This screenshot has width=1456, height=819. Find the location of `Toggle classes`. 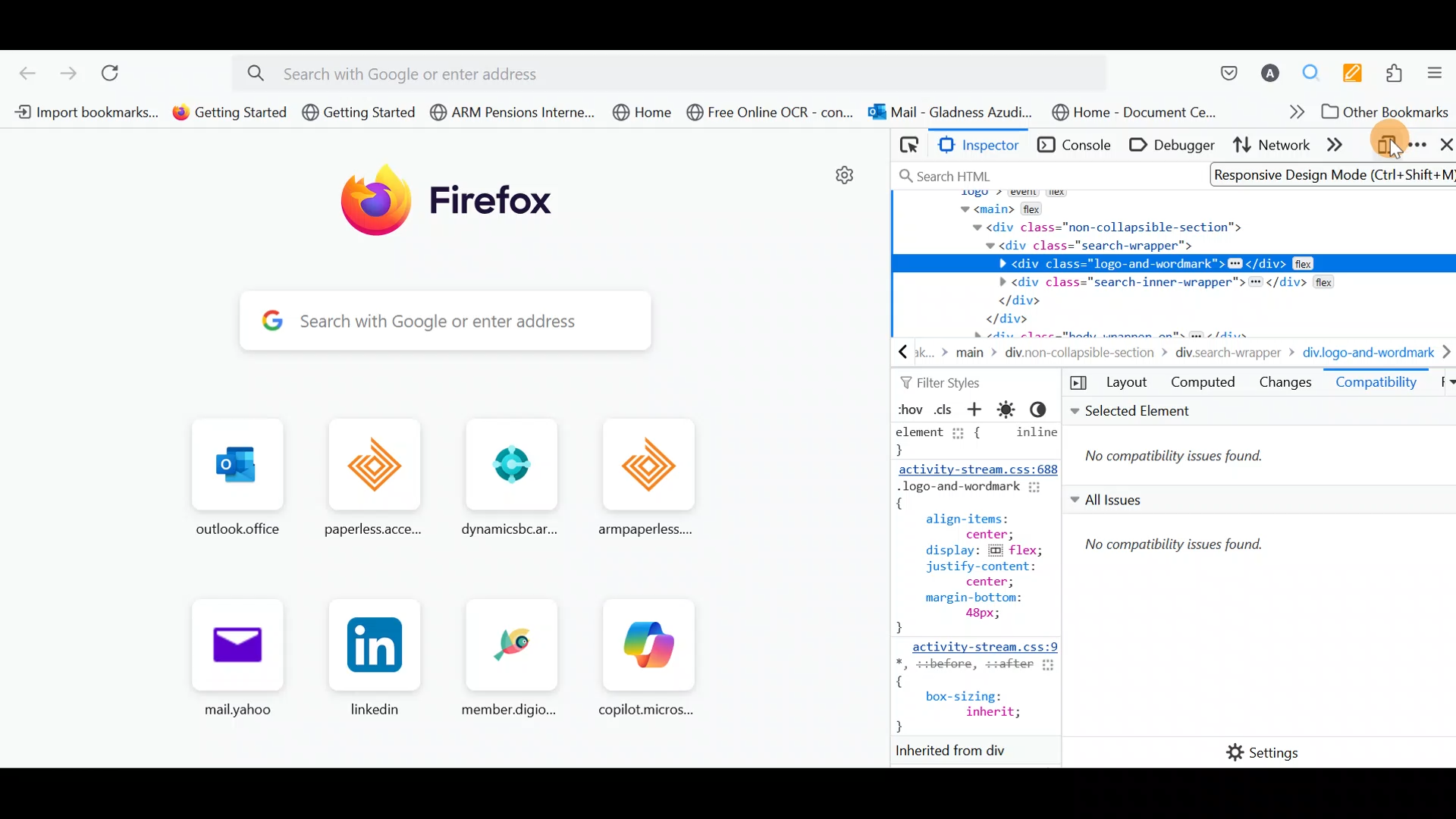

Toggle classes is located at coordinates (946, 409).